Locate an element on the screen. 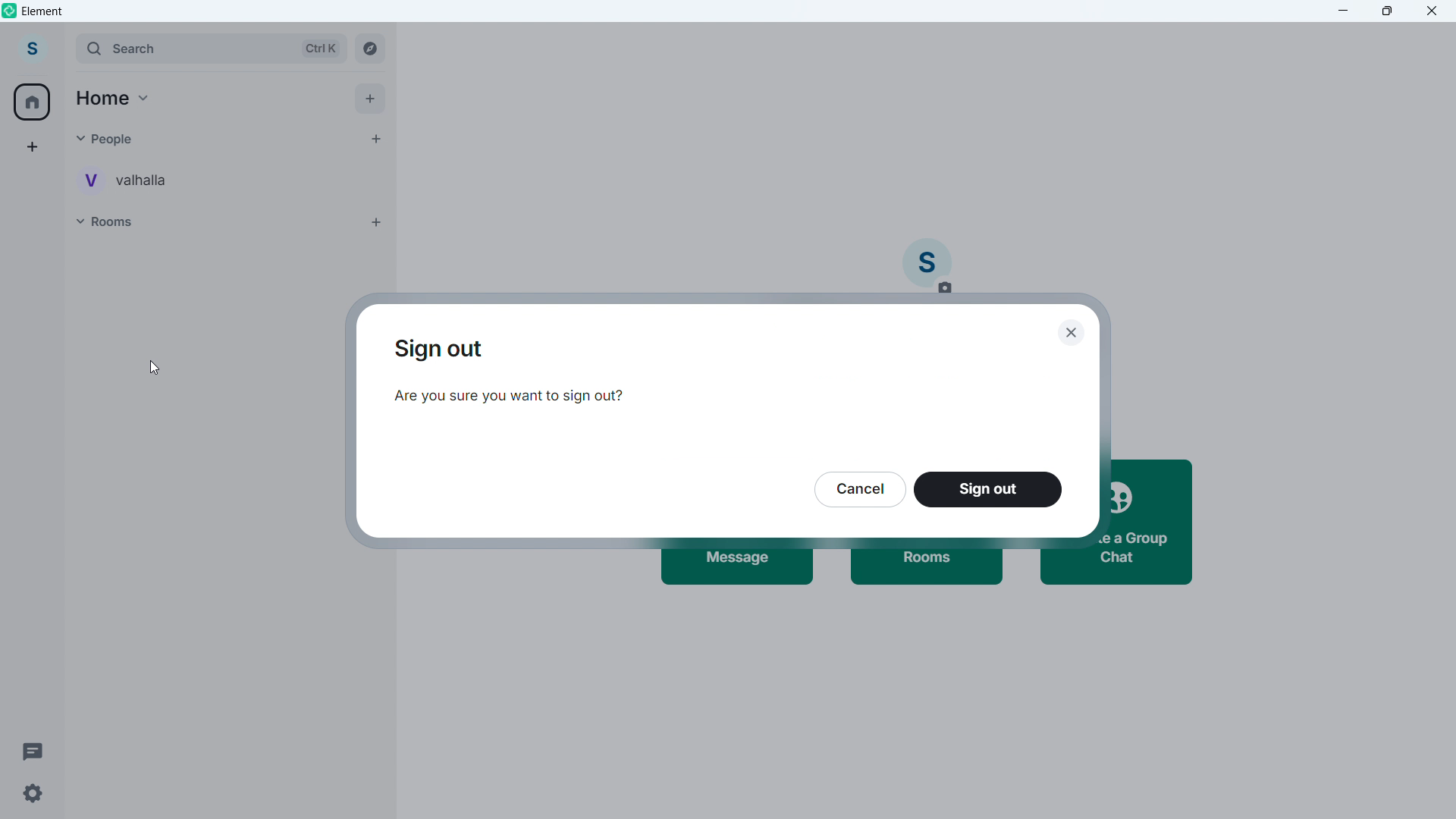  Send a direct message  is located at coordinates (741, 570).